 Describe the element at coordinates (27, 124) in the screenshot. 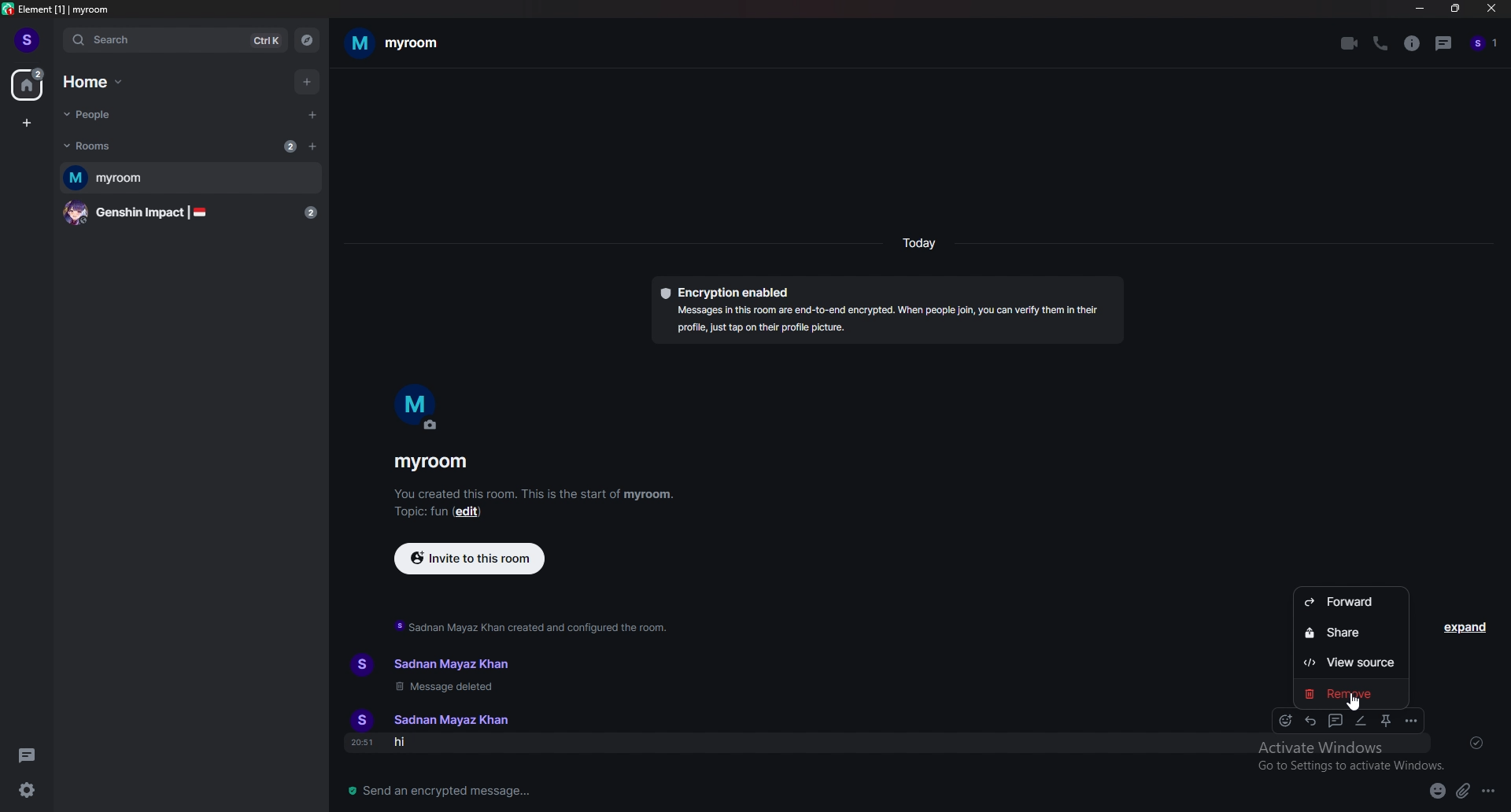

I see `create space` at that location.